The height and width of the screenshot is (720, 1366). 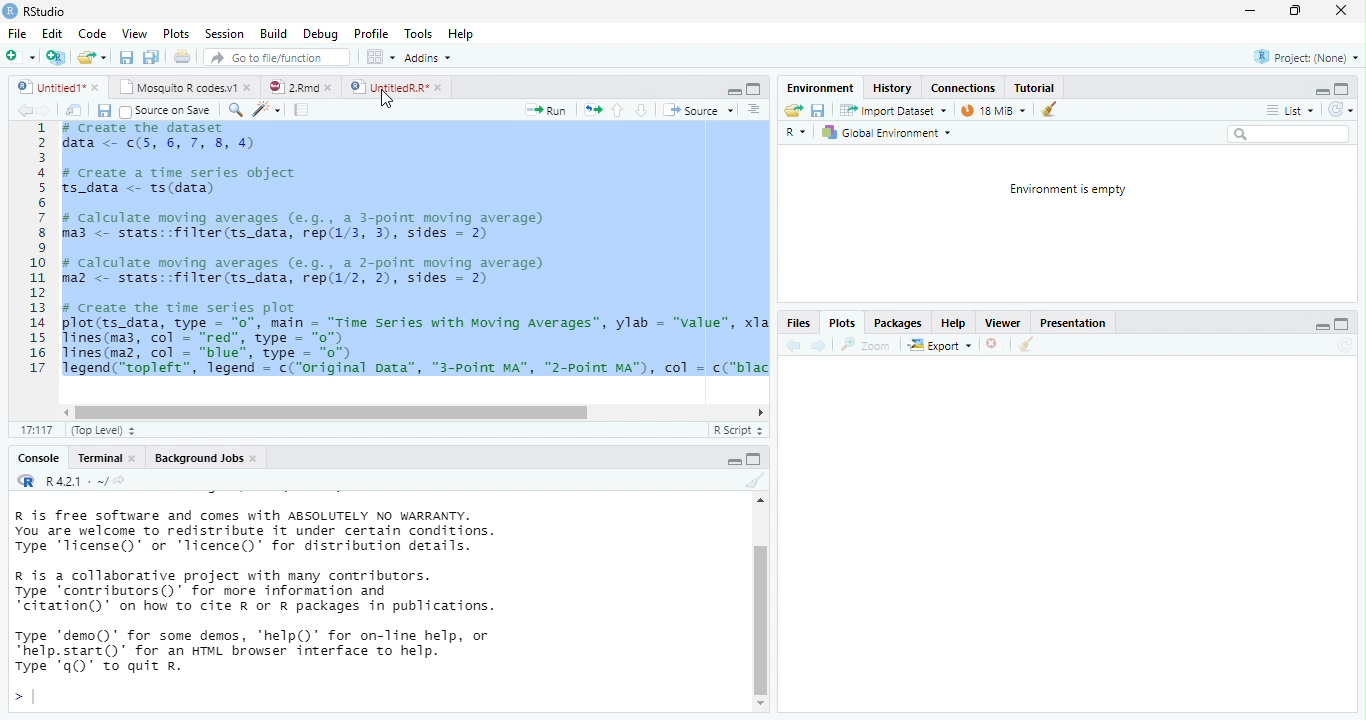 I want to click on Viewer, so click(x=1002, y=323).